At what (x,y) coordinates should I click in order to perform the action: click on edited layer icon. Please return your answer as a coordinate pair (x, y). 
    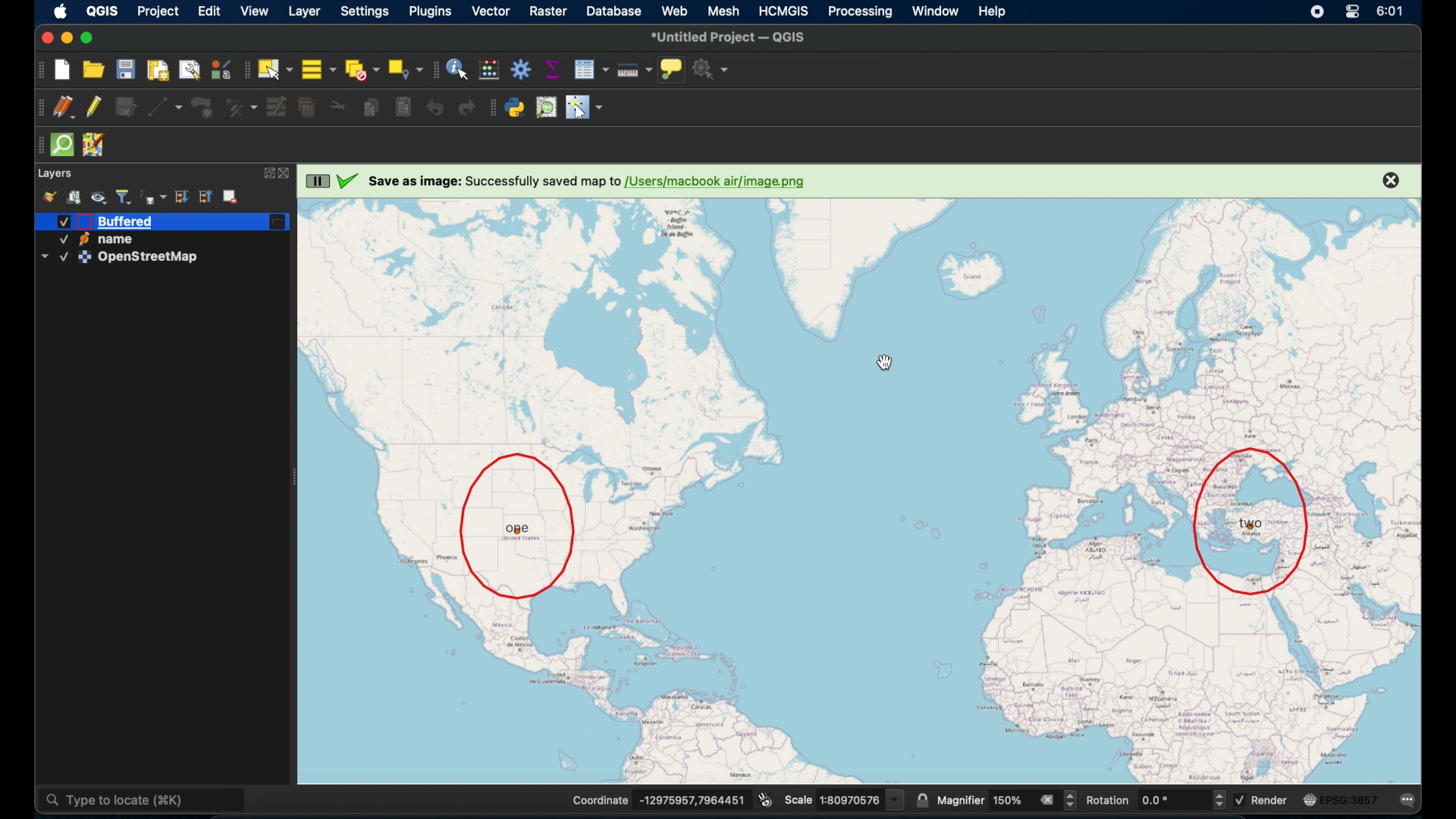
    Looking at the image, I should click on (280, 223).